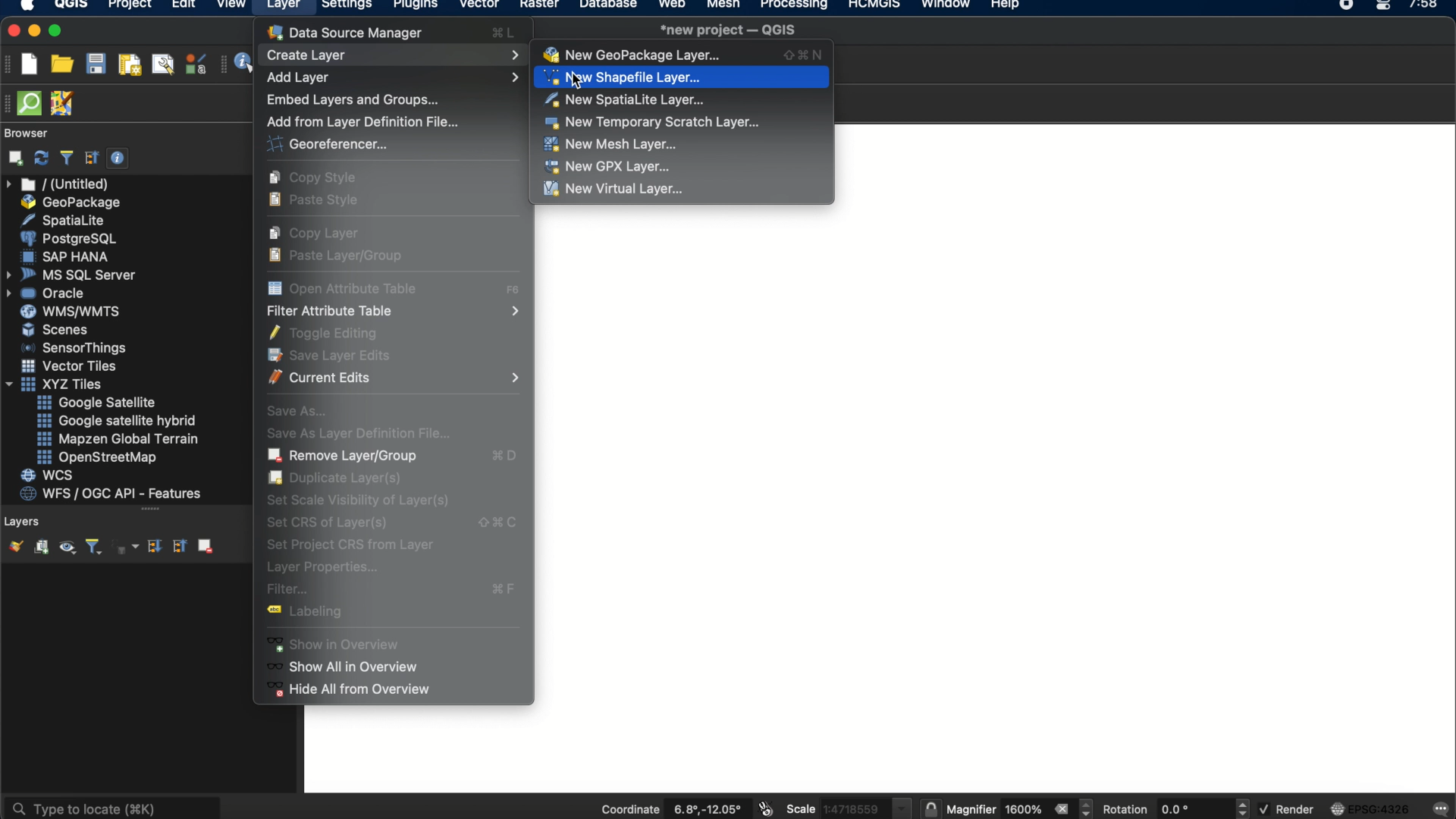 This screenshot has height=819, width=1456. Describe the element at coordinates (56, 329) in the screenshot. I see `scenes` at that location.